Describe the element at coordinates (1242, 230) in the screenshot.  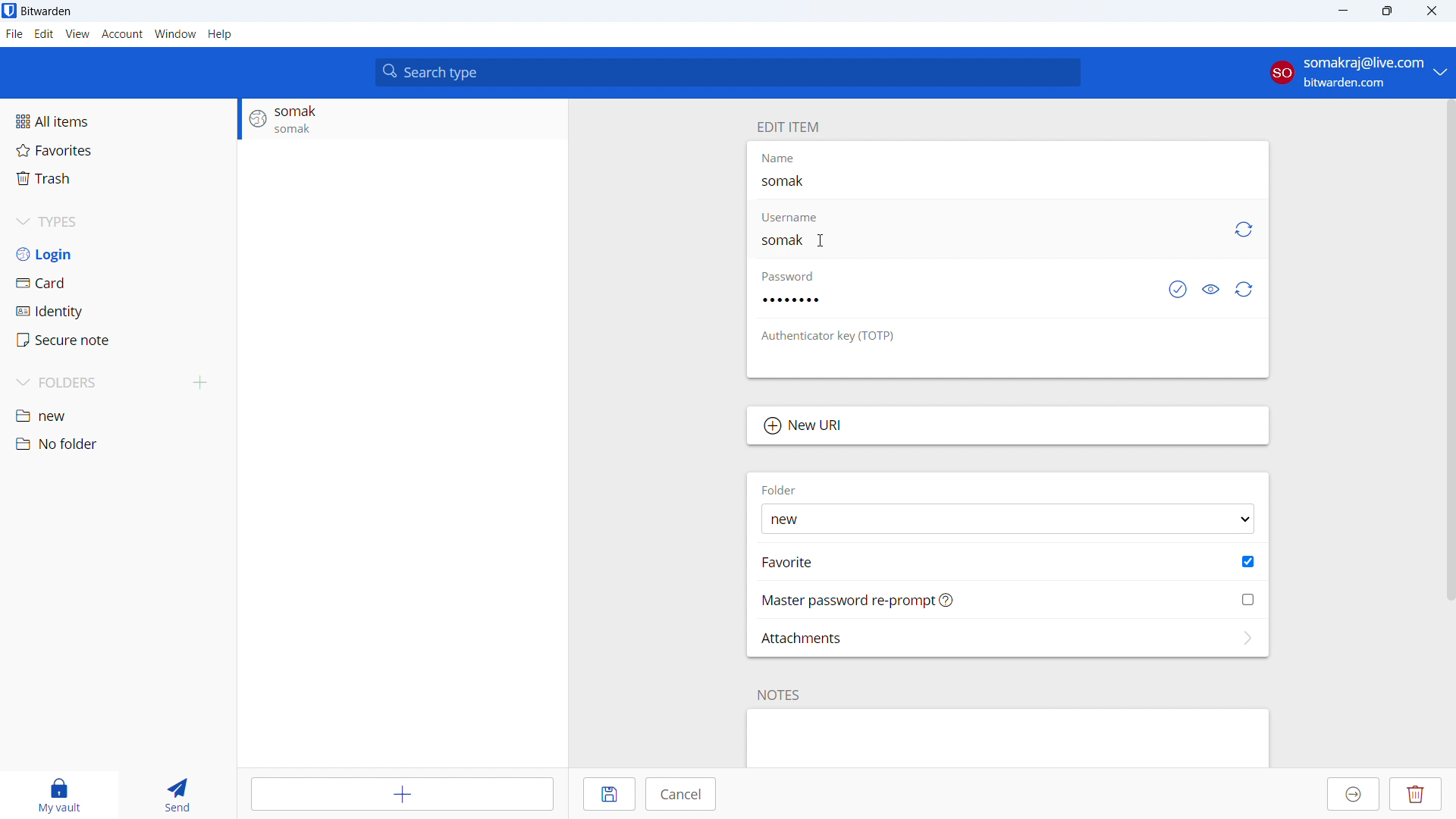
I see `generate username` at that location.